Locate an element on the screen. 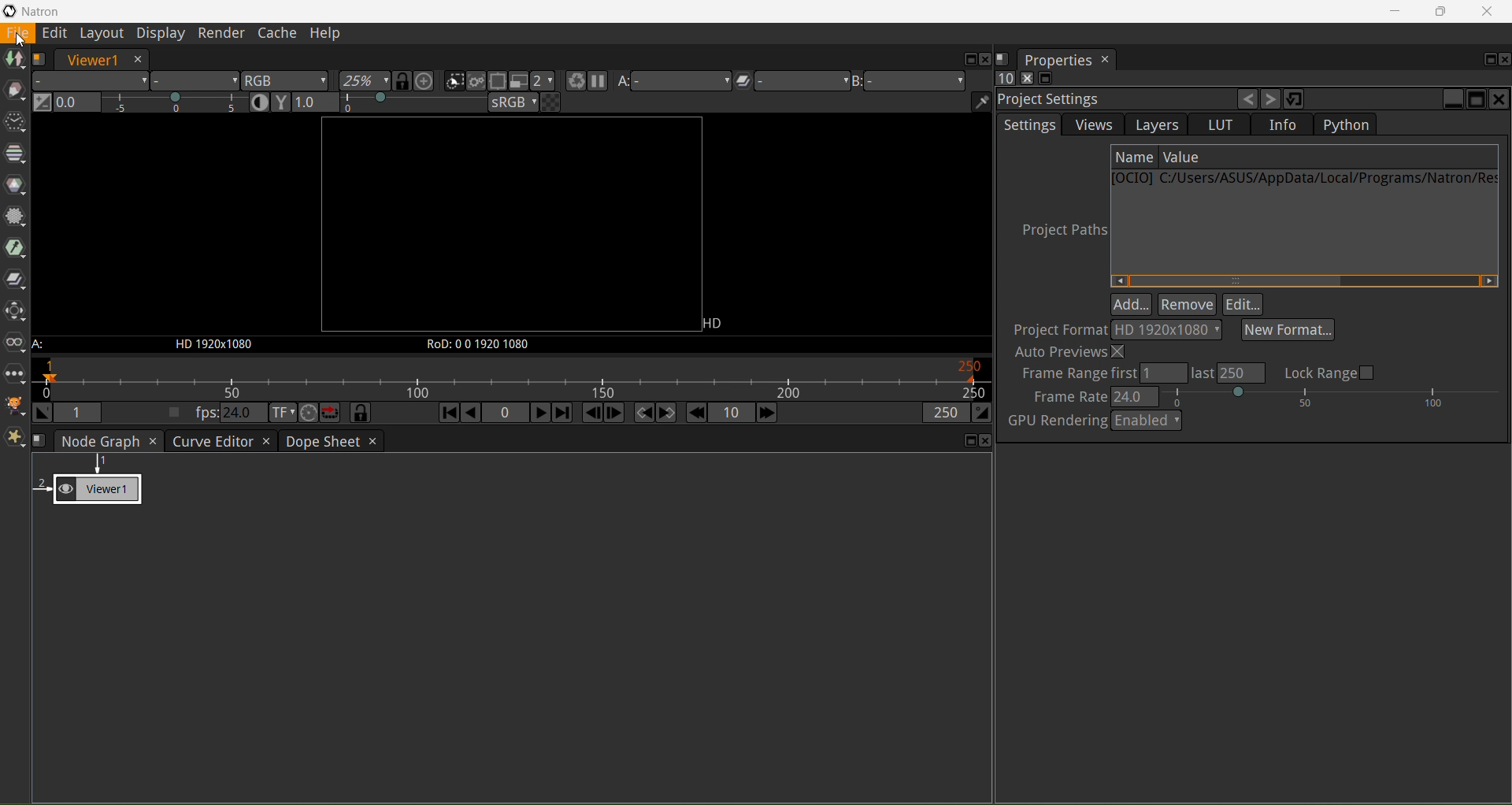 Image resolution: width=1512 pixels, height=805 pixels. Path name is located at coordinates (1305, 181).